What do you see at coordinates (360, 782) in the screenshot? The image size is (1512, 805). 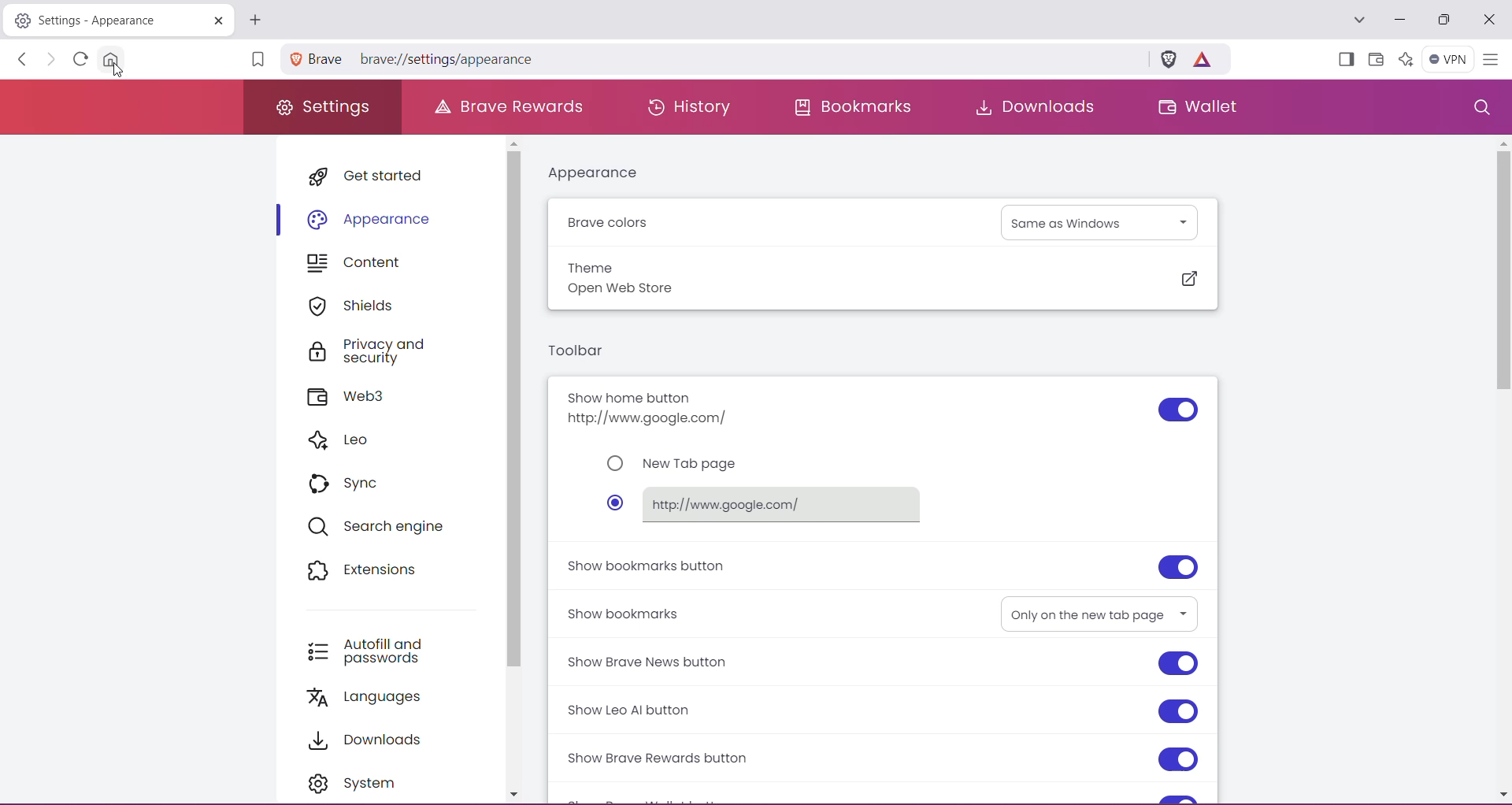 I see `system` at bounding box center [360, 782].